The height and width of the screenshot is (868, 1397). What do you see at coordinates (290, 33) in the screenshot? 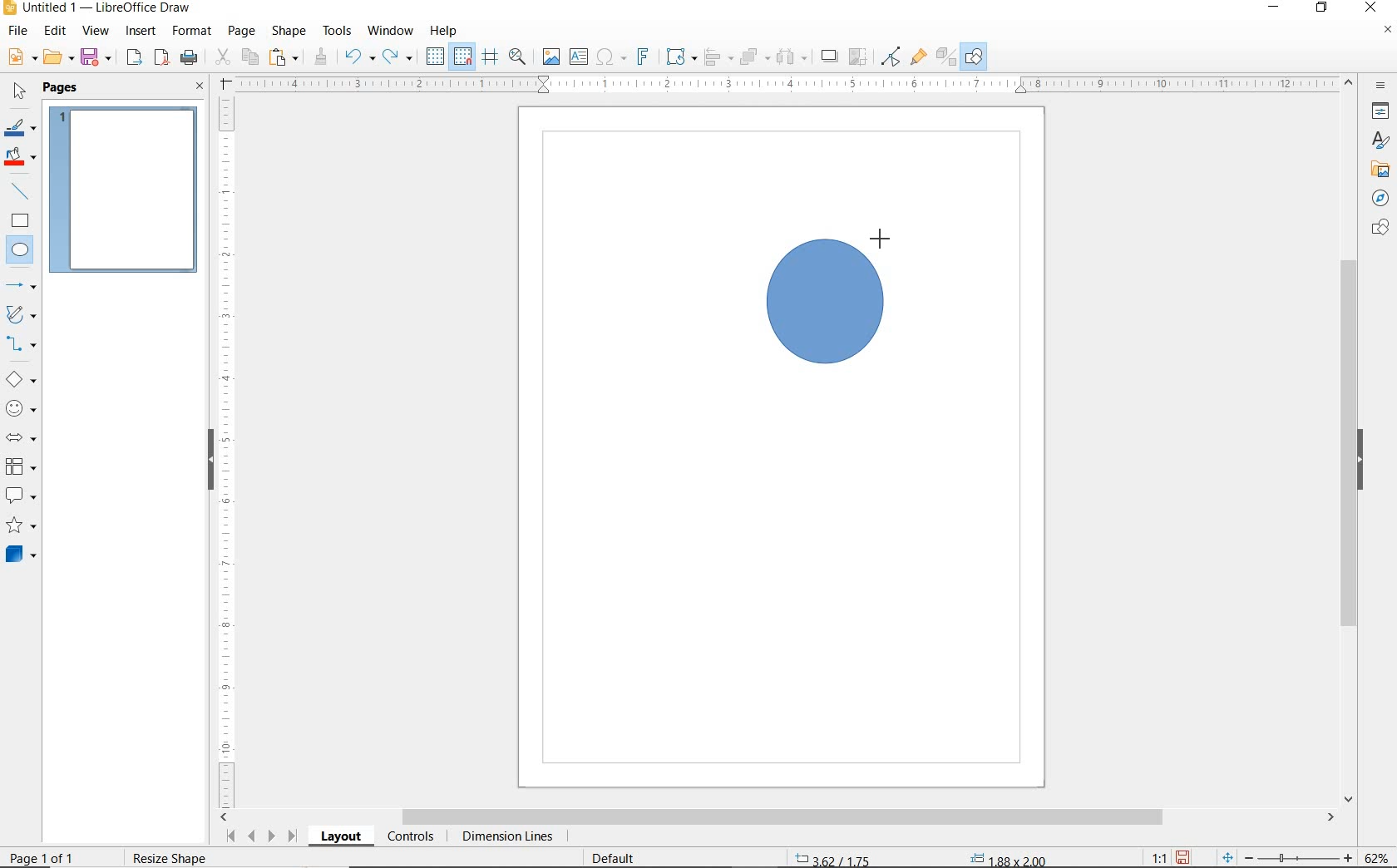
I see `SHAPE` at bounding box center [290, 33].